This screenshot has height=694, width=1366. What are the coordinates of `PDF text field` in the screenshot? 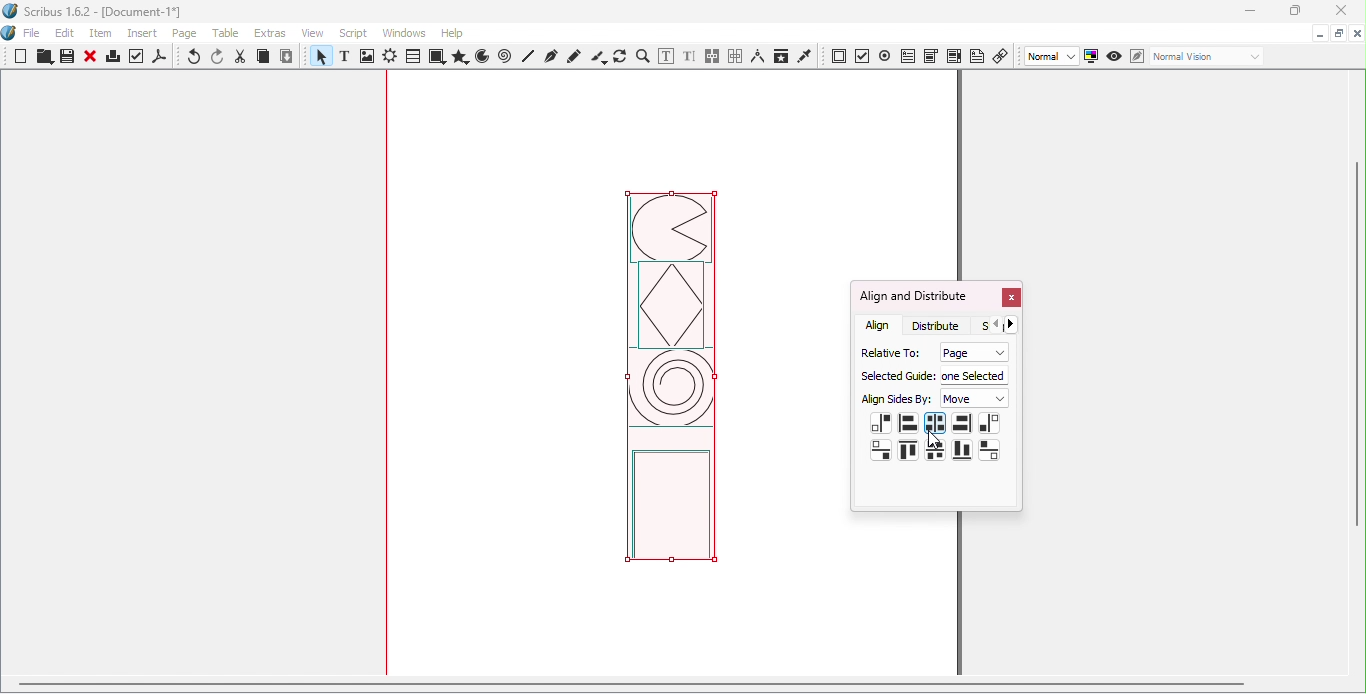 It's located at (907, 54).